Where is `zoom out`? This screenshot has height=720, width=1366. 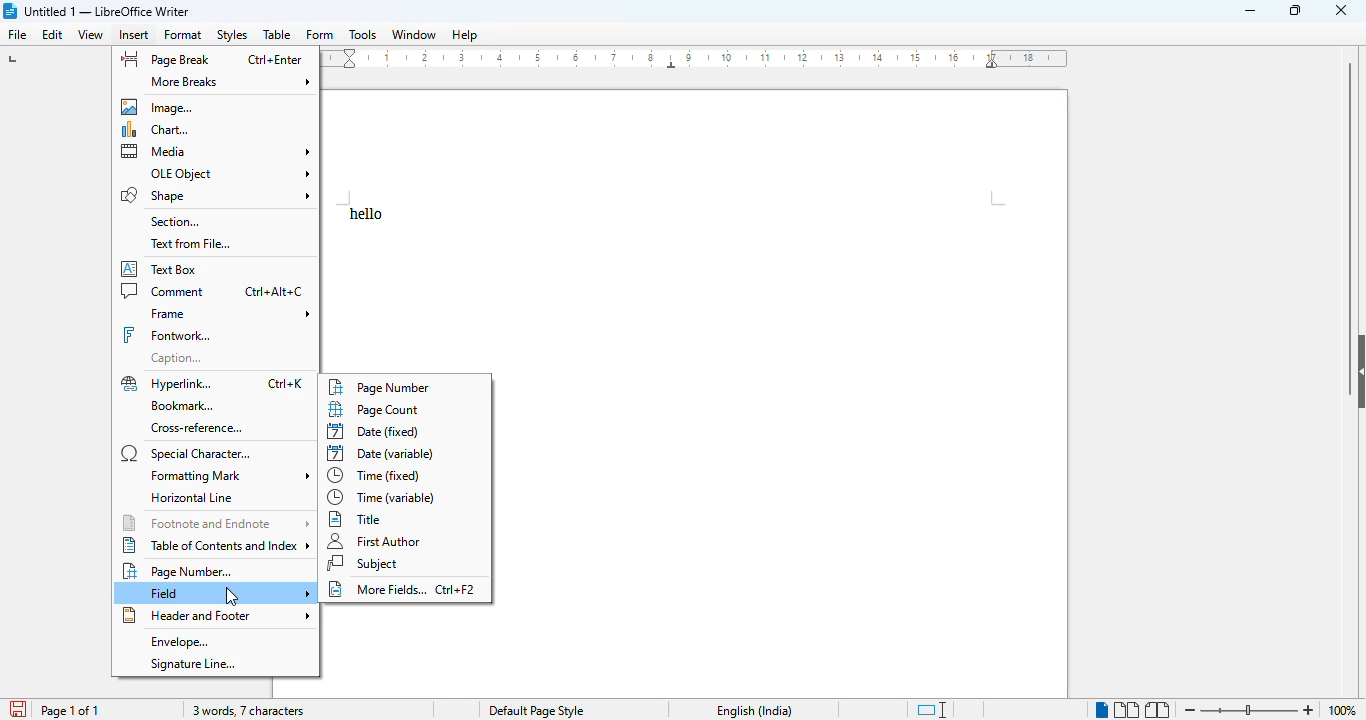 zoom out is located at coordinates (1190, 709).